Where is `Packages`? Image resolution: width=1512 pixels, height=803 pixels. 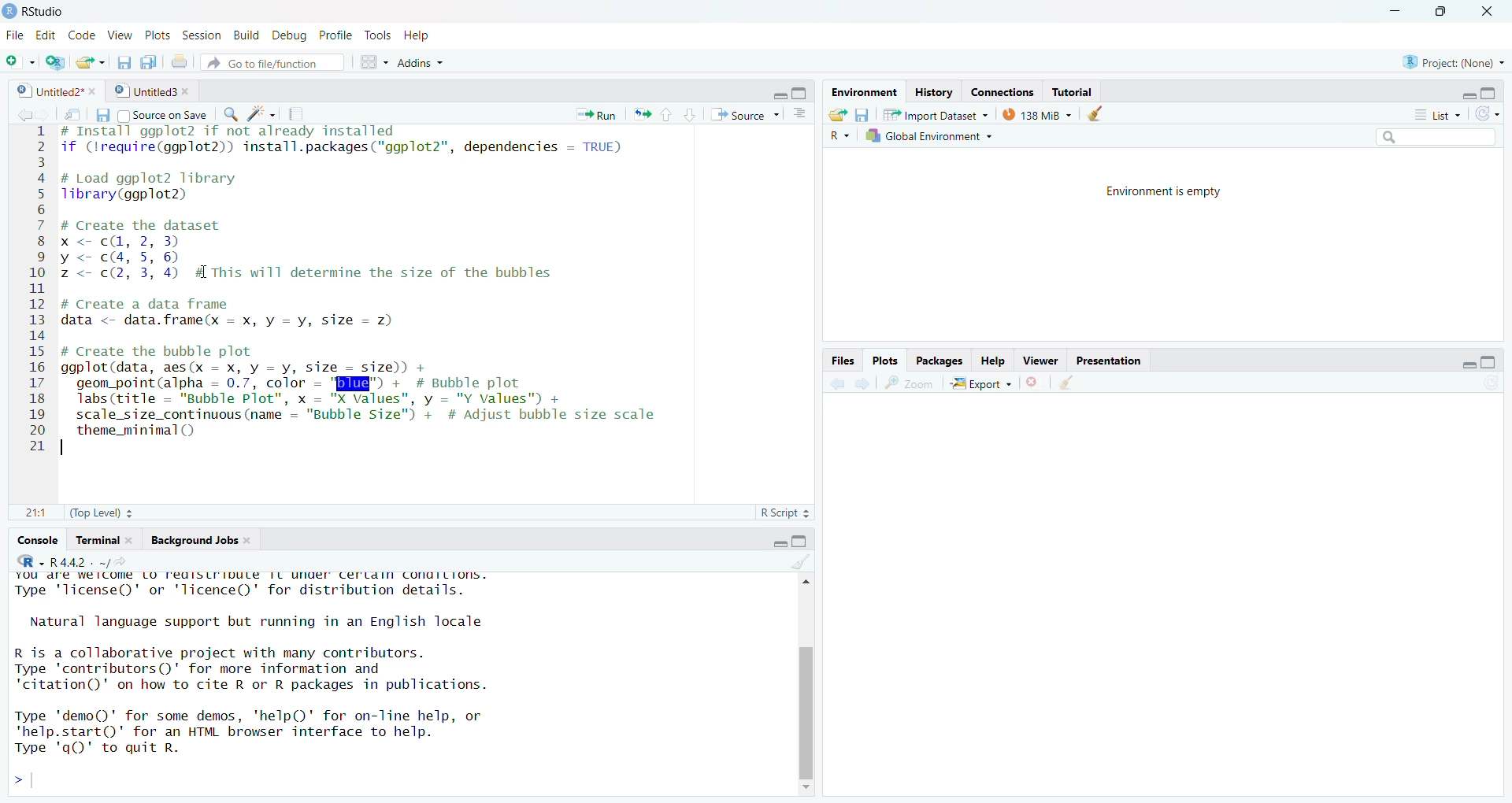
Packages is located at coordinates (942, 361).